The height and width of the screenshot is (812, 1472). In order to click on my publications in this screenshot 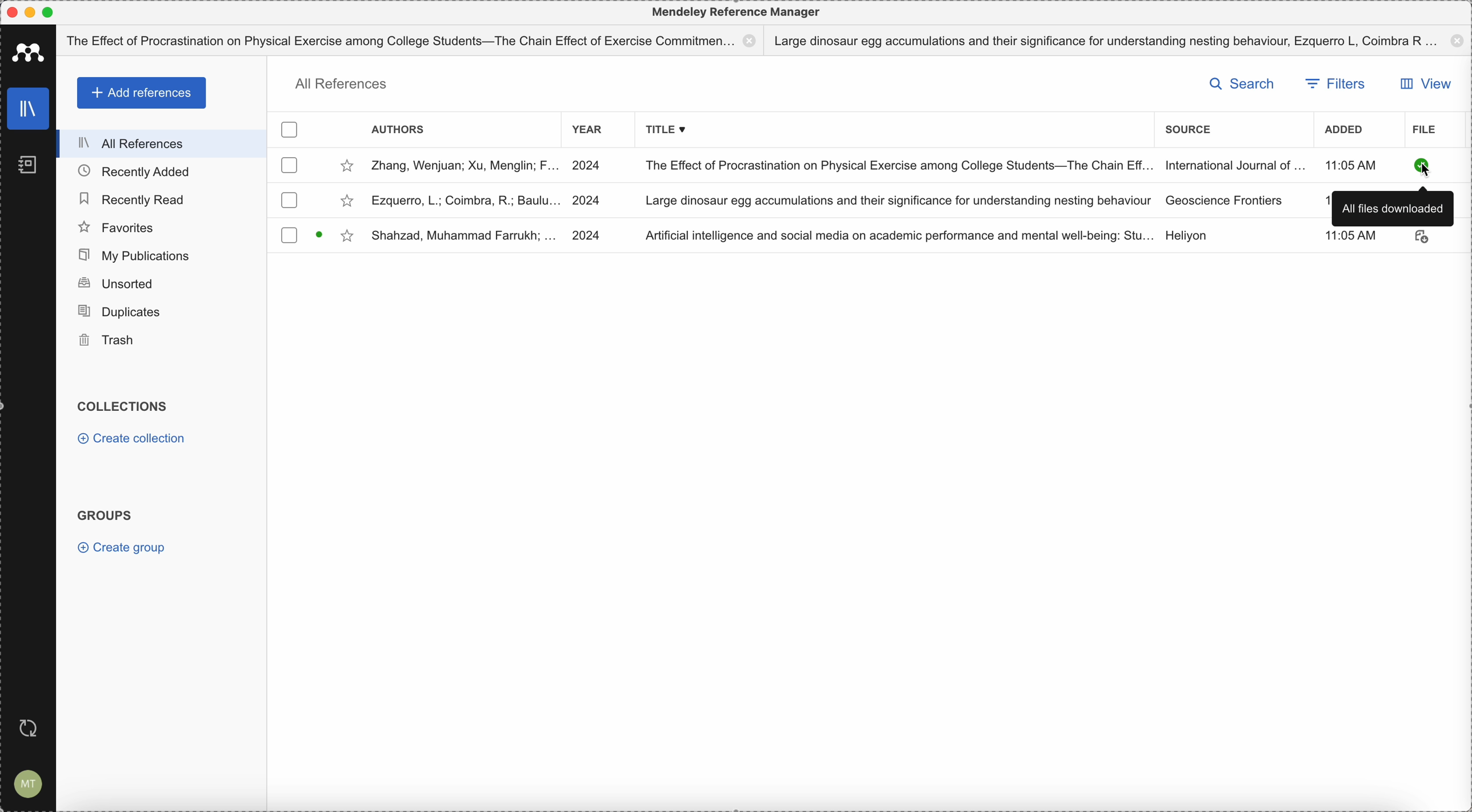, I will do `click(133, 255)`.